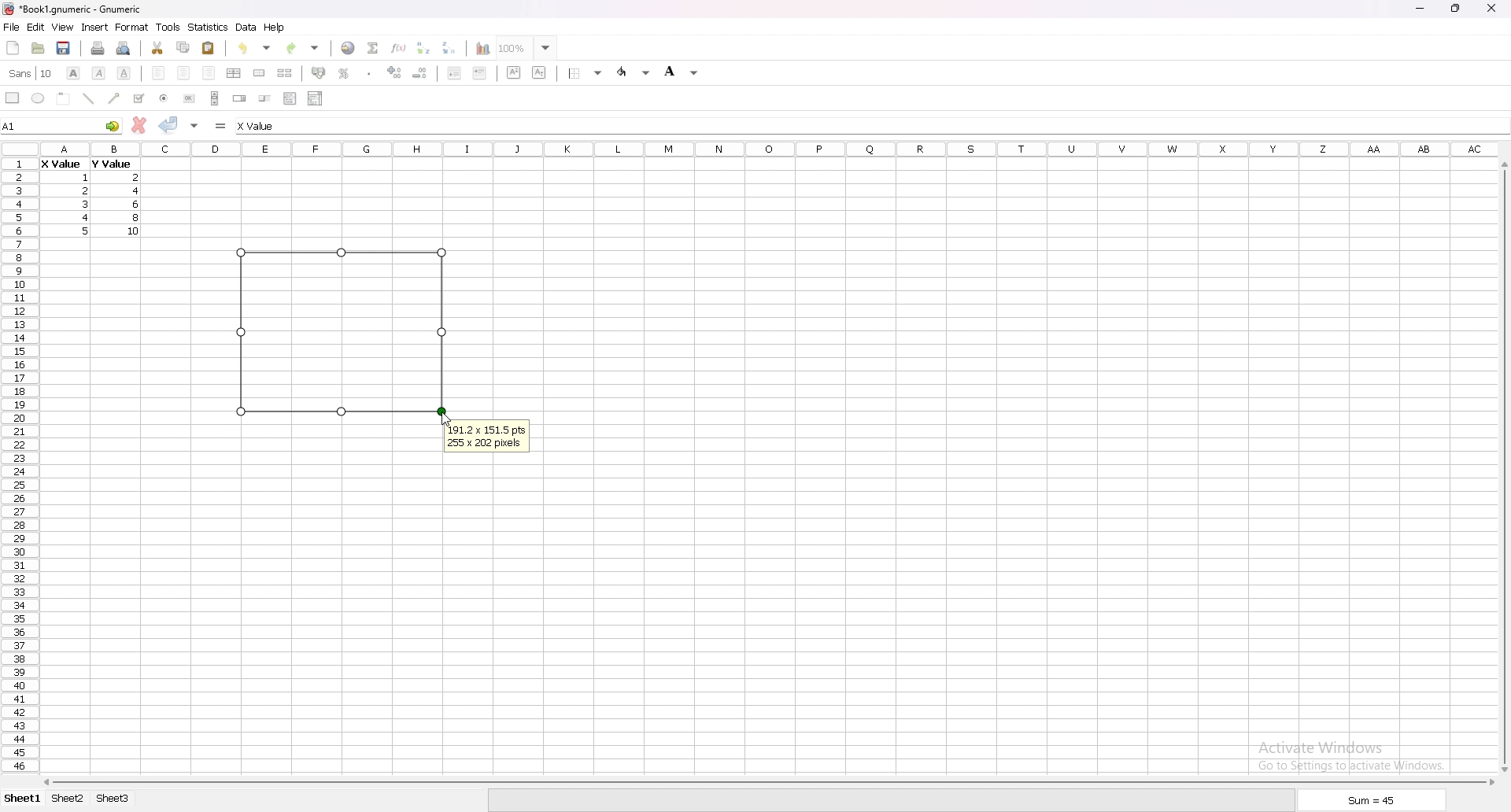 Image resolution: width=1511 pixels, height=812 pixels. I want to click on sort descending, so click(449, 47).